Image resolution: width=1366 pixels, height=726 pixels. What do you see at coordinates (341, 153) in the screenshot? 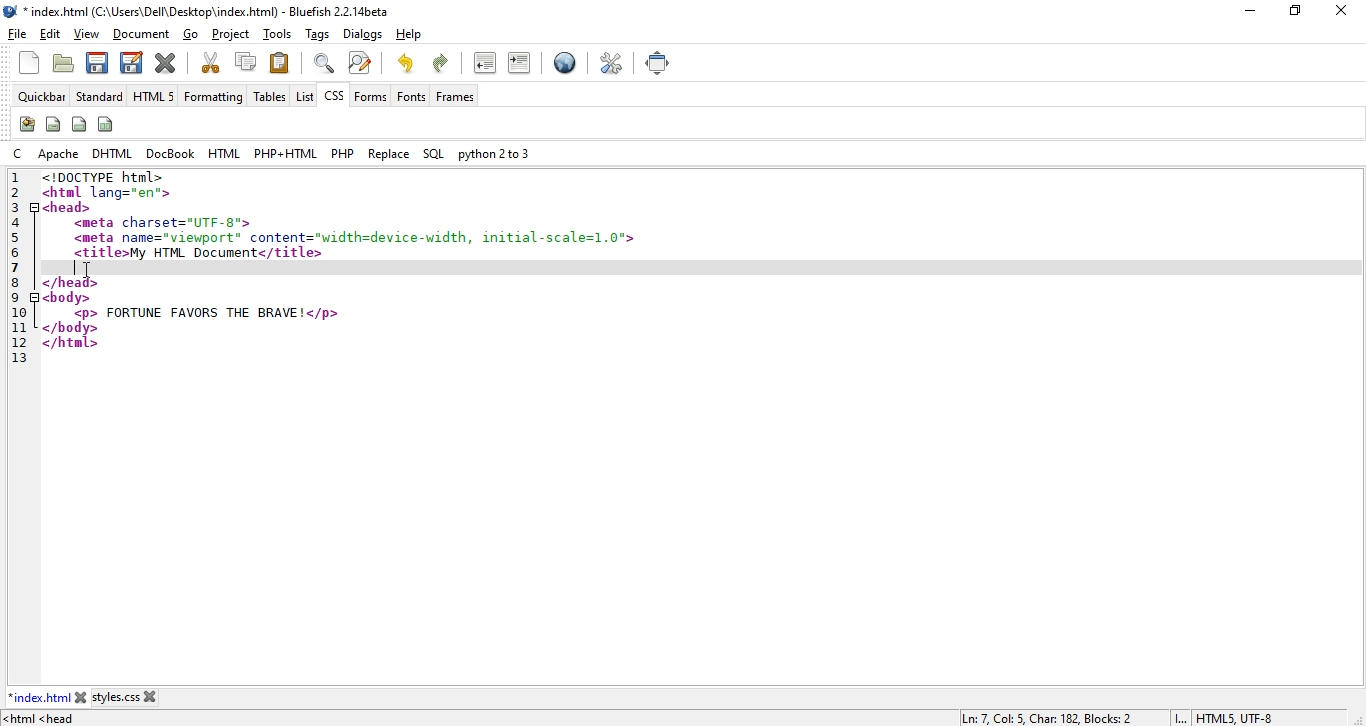
I see `php` at bounding box center [341, 153].